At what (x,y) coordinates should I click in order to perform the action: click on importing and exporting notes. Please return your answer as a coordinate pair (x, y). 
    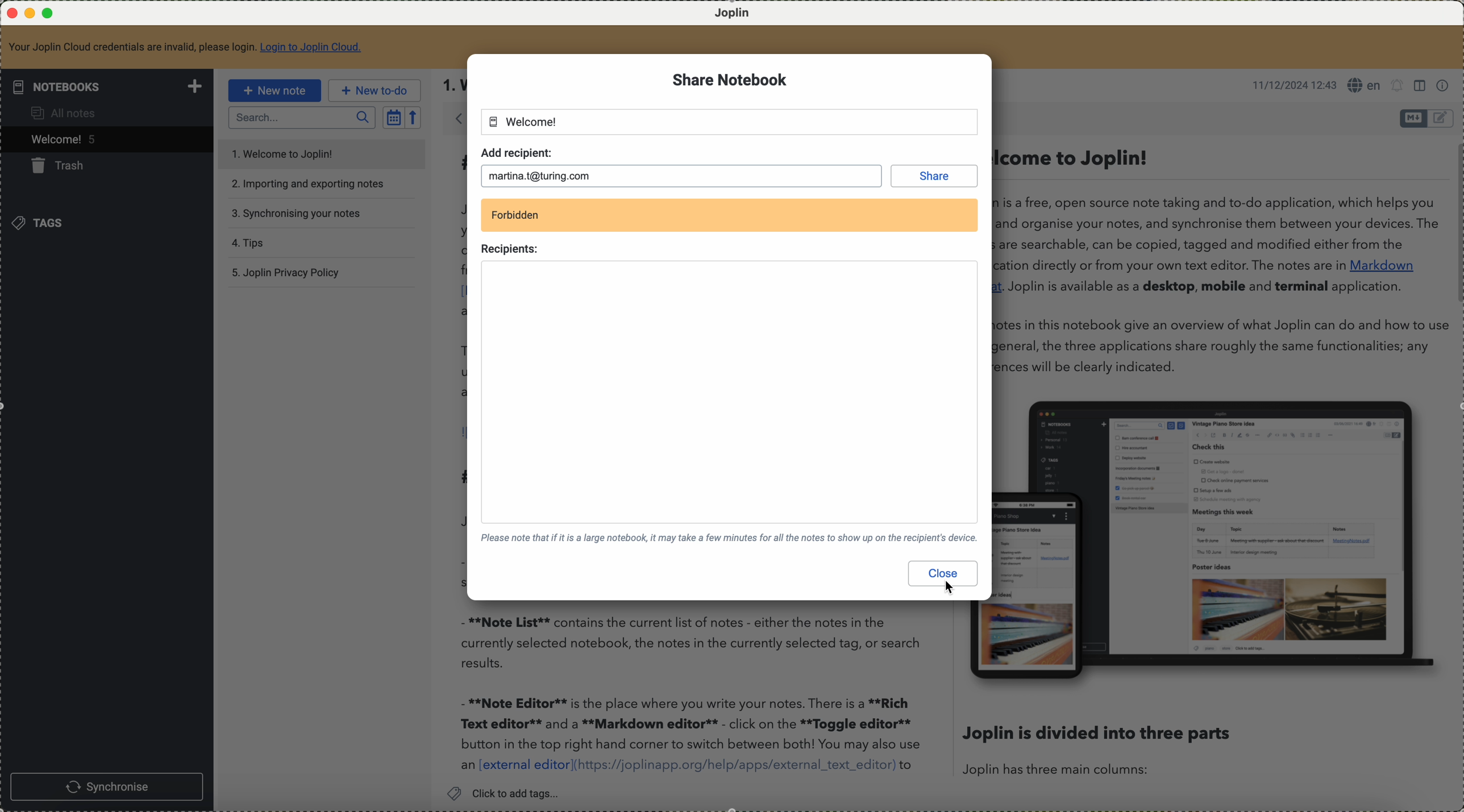
    Looking at the image, I should click on (309, 184).